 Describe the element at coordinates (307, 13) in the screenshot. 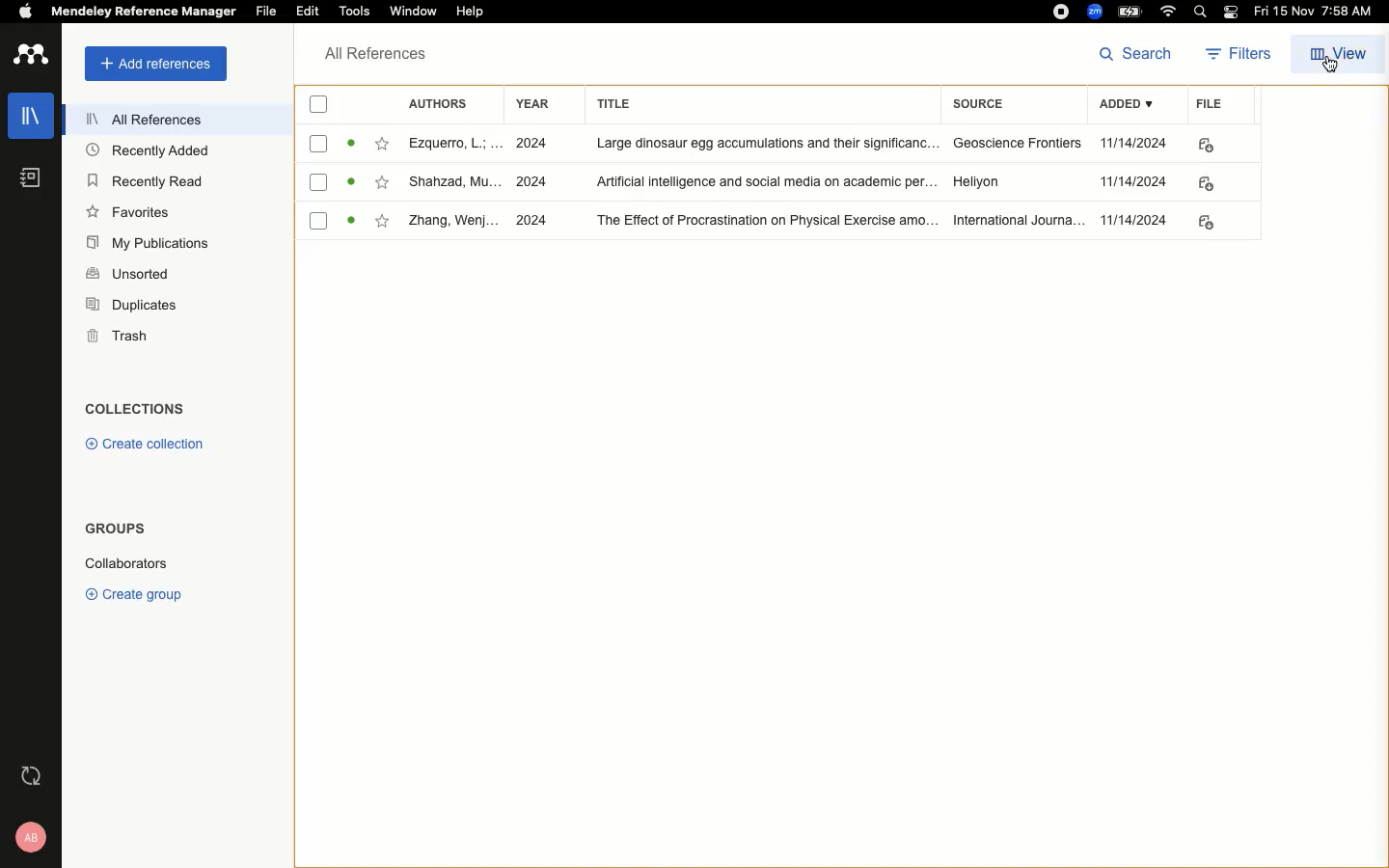

I see `Edit` at that location.